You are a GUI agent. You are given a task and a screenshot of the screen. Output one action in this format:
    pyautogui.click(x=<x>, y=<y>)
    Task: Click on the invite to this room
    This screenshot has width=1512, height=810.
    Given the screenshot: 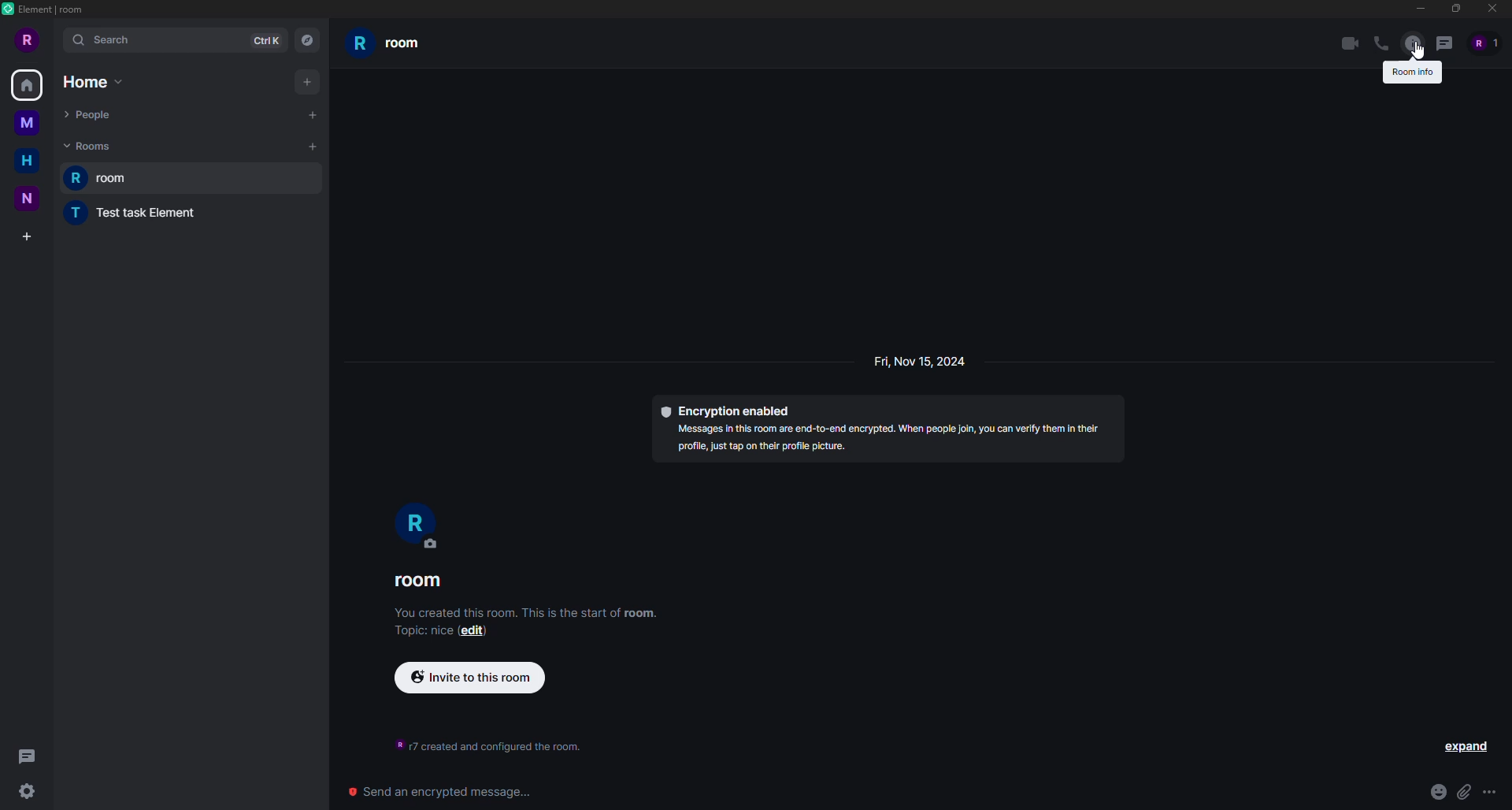 What is the action you would take?
    pyautogui.click(x=467, y=679)
    